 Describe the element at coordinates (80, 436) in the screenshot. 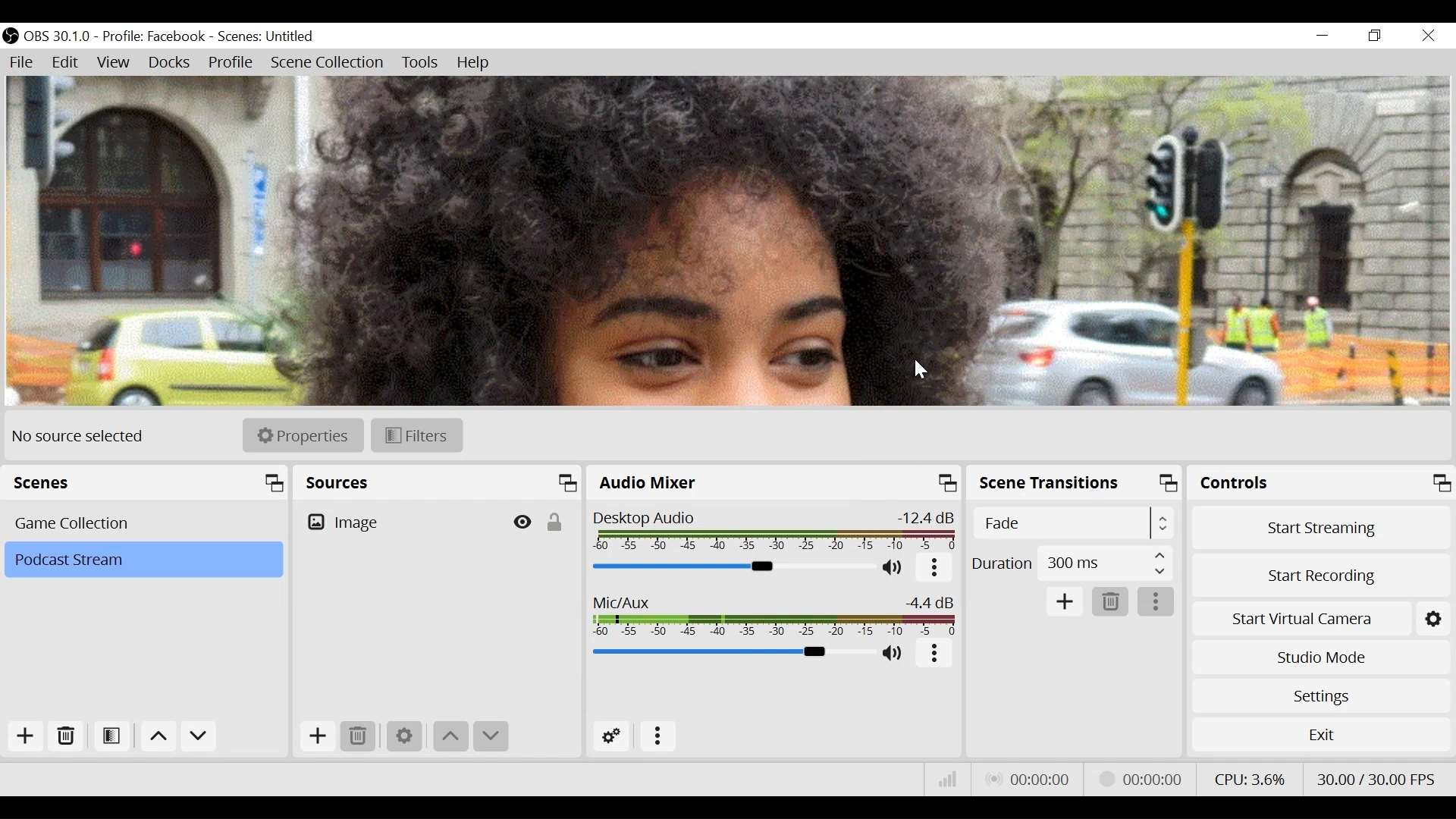

I see `No source selected` at that location.